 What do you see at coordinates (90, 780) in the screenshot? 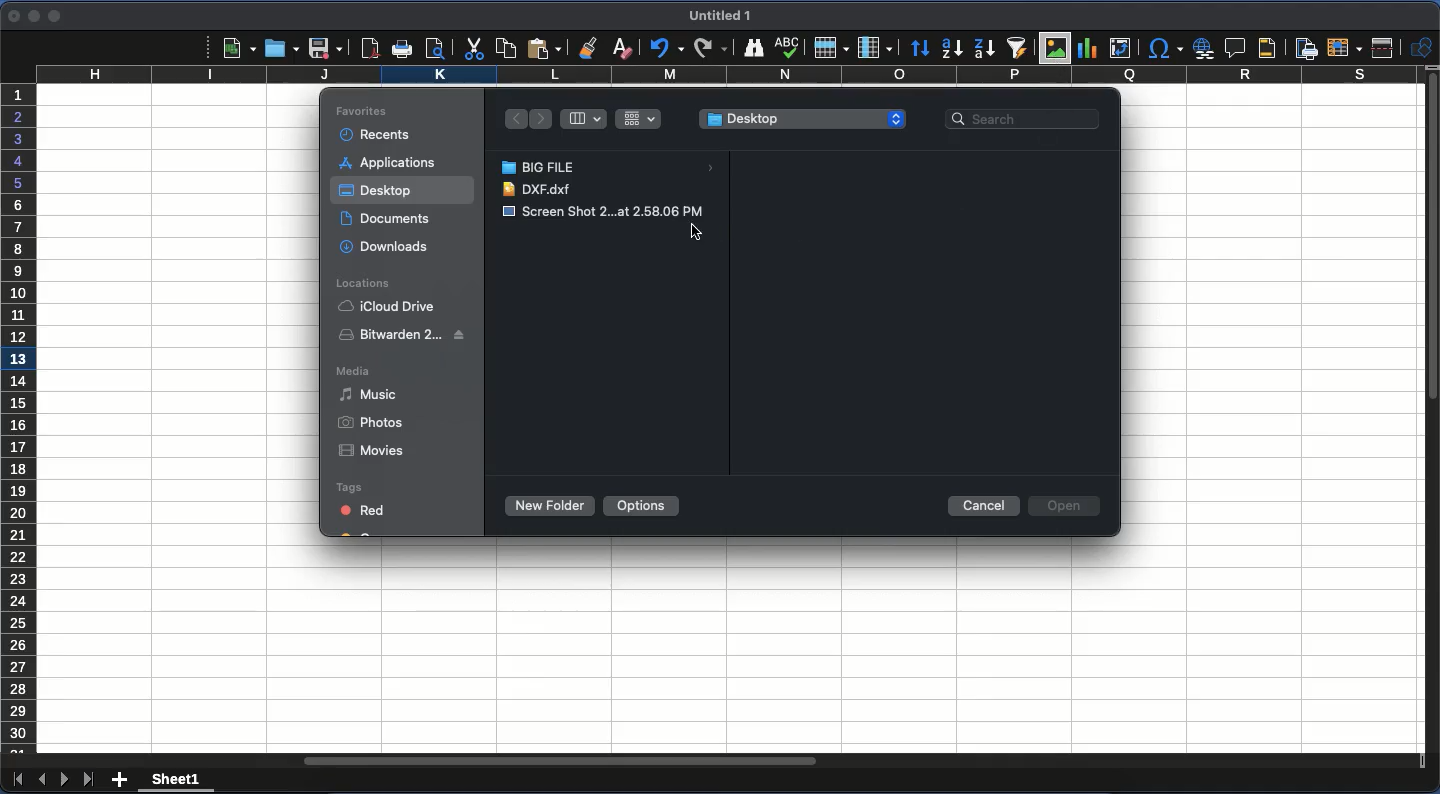
I see `last sheet` at bounding box center [90, 780].